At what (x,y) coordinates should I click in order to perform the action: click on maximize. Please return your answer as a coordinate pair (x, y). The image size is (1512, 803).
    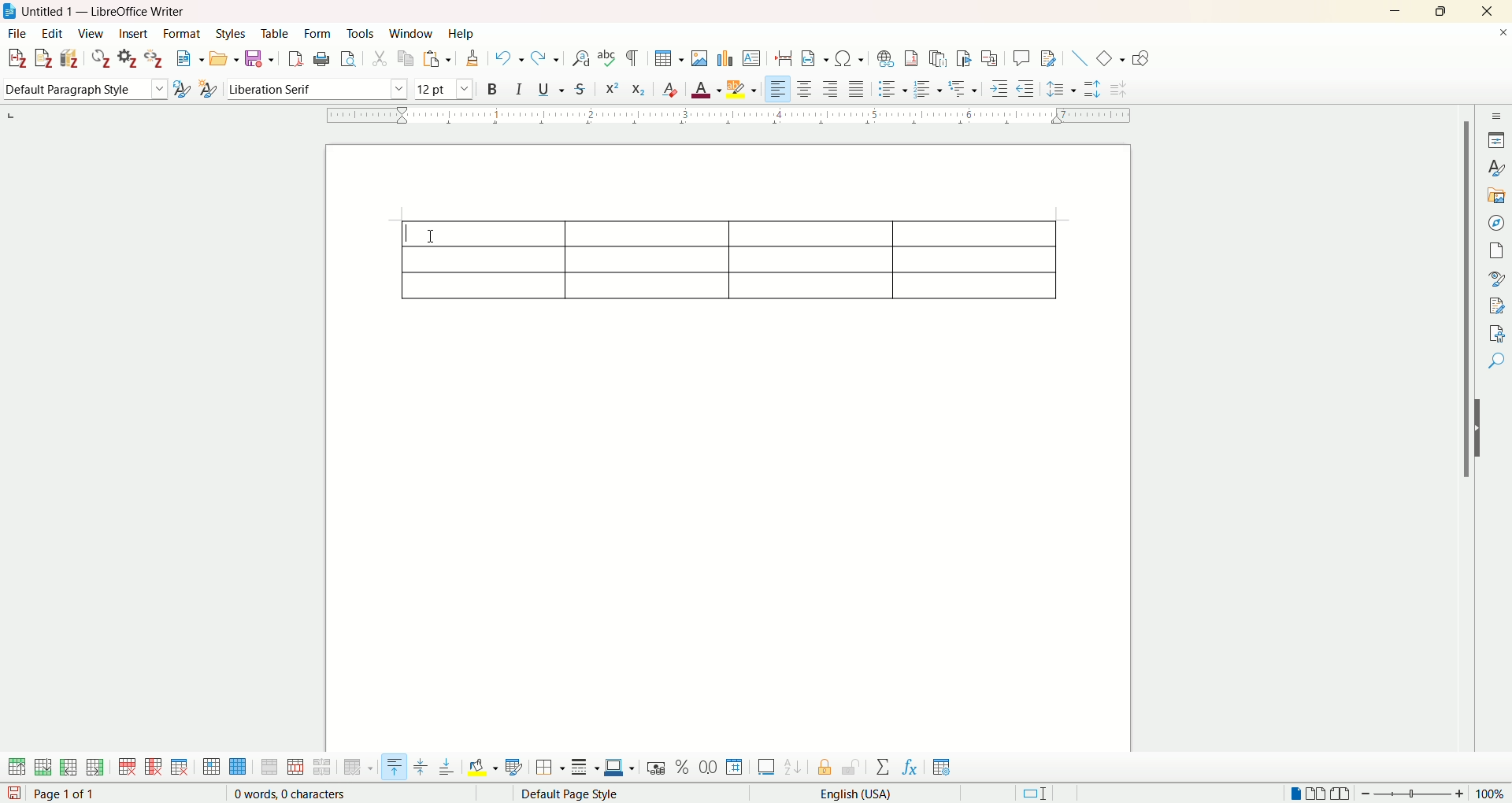
    Looking at the image, I should click on (1441, 11).